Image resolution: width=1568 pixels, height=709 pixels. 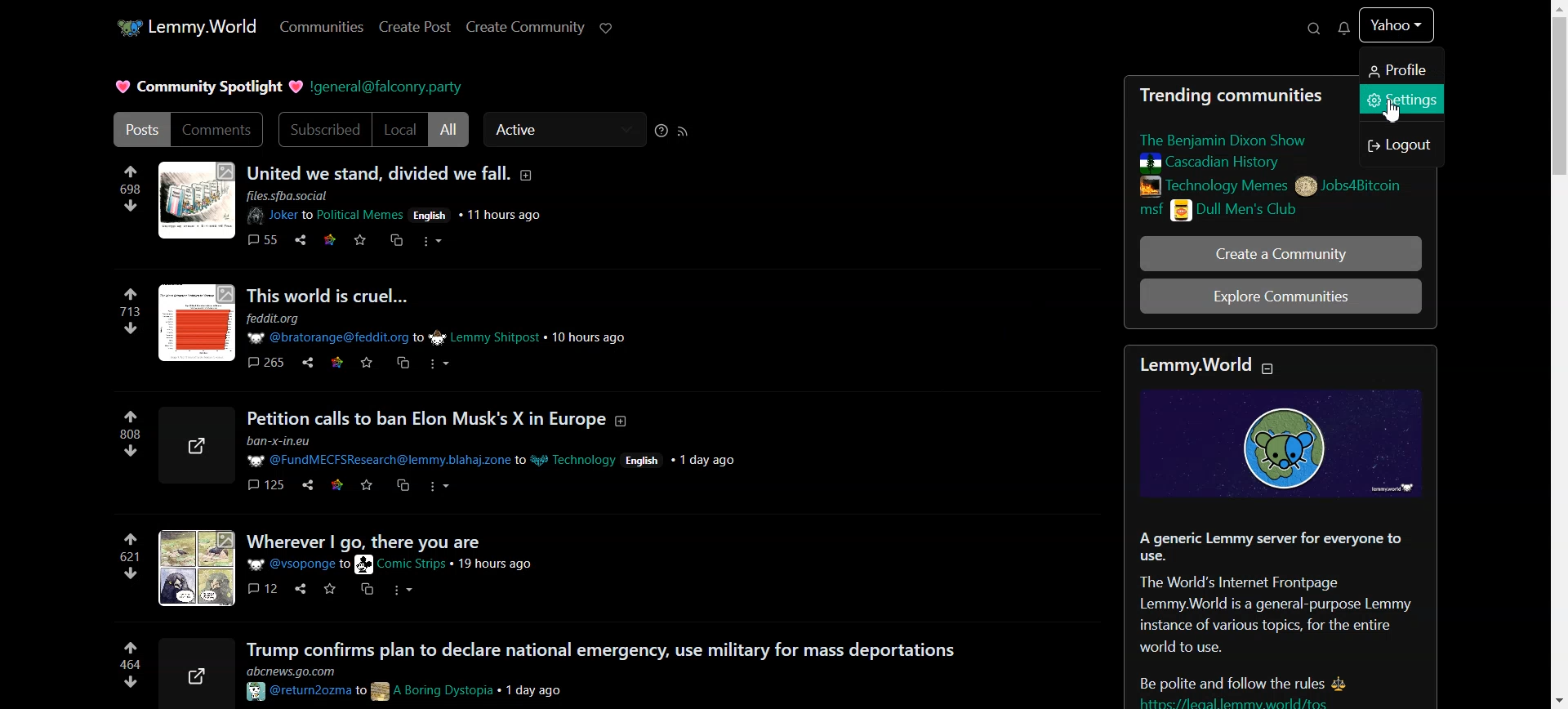 What do you see at coordinates (495, 339) in the screenshot?
I see `Lemmy Shitpost` at bounding box center [495, 339].